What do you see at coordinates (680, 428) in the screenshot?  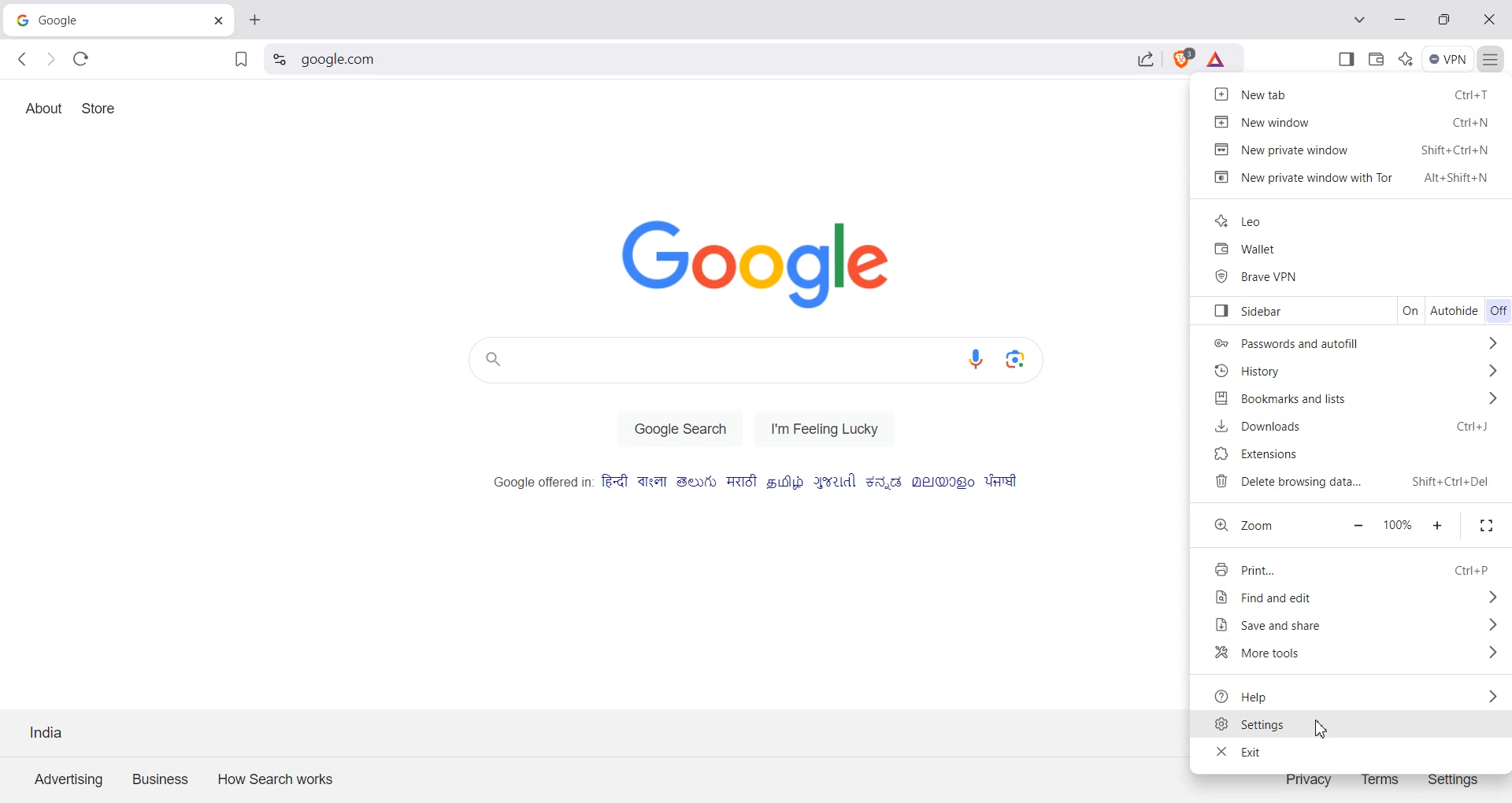 I see `Google Search` at bounding box center [680, 428].